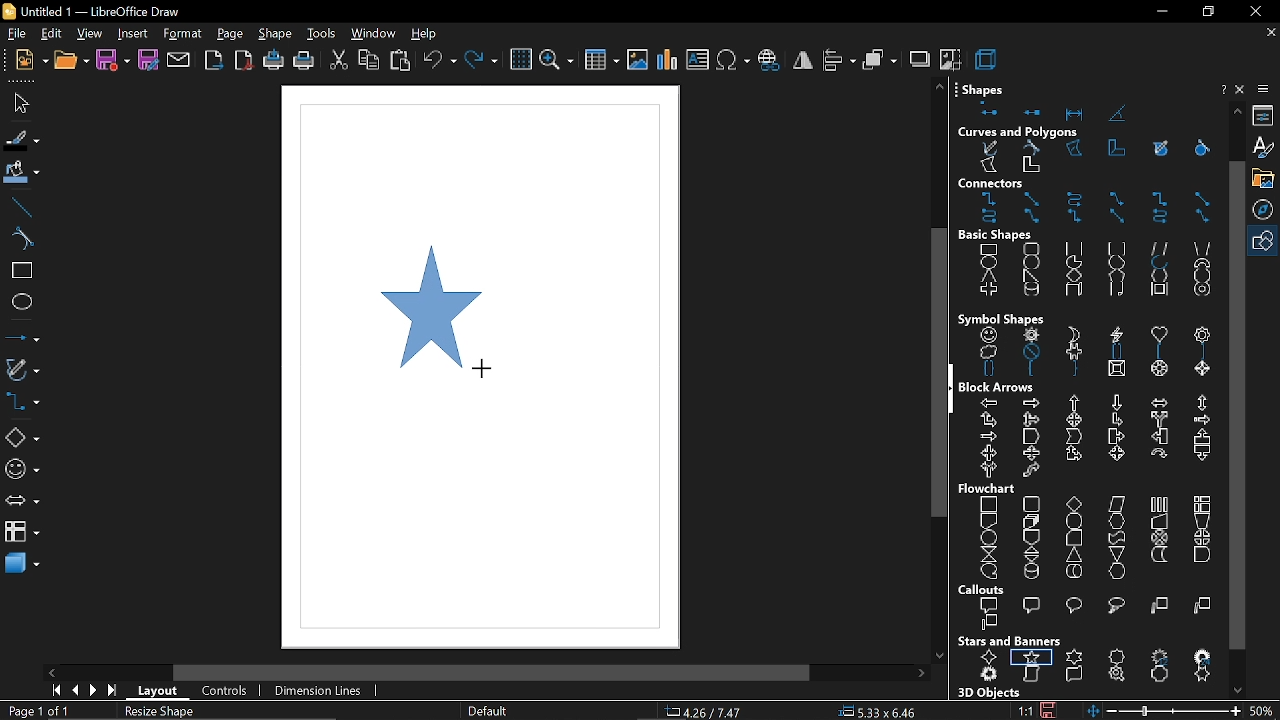  I want to click on grid, so click(520, 60).